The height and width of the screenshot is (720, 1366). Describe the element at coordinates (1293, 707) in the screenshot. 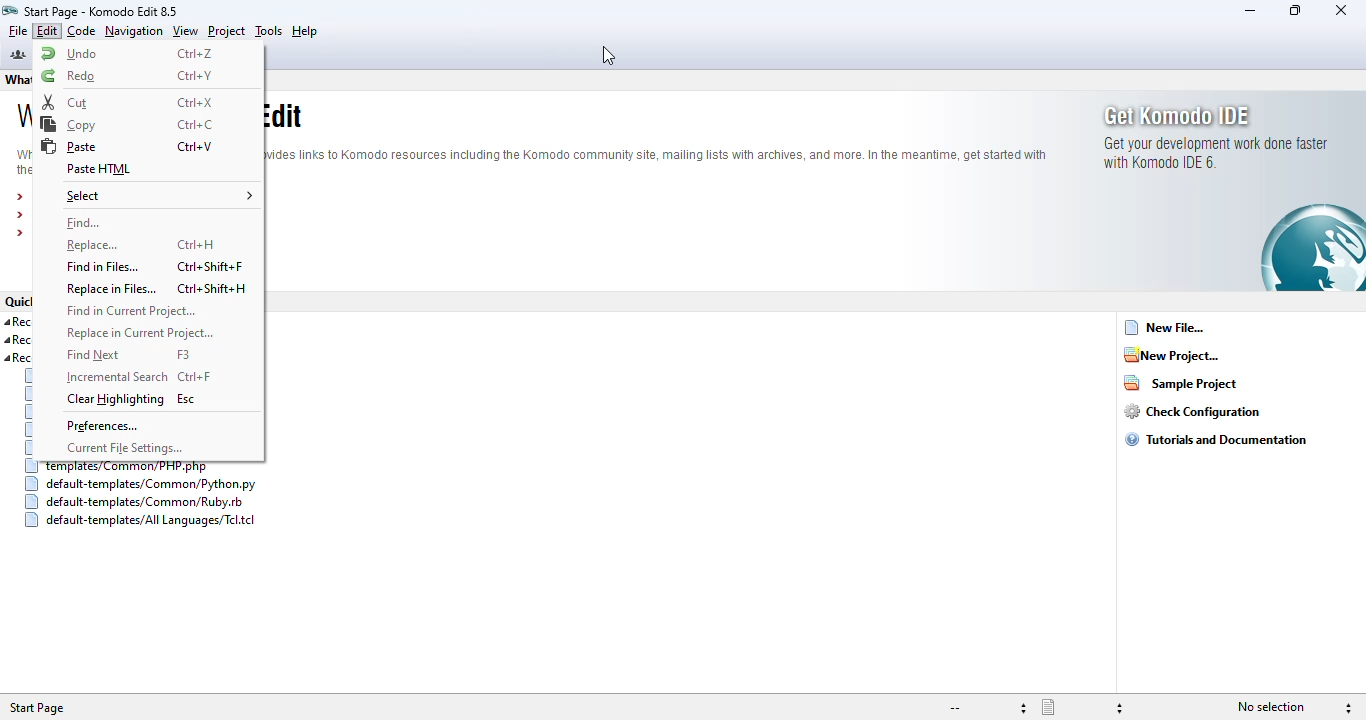

I see `selection information` at that location.